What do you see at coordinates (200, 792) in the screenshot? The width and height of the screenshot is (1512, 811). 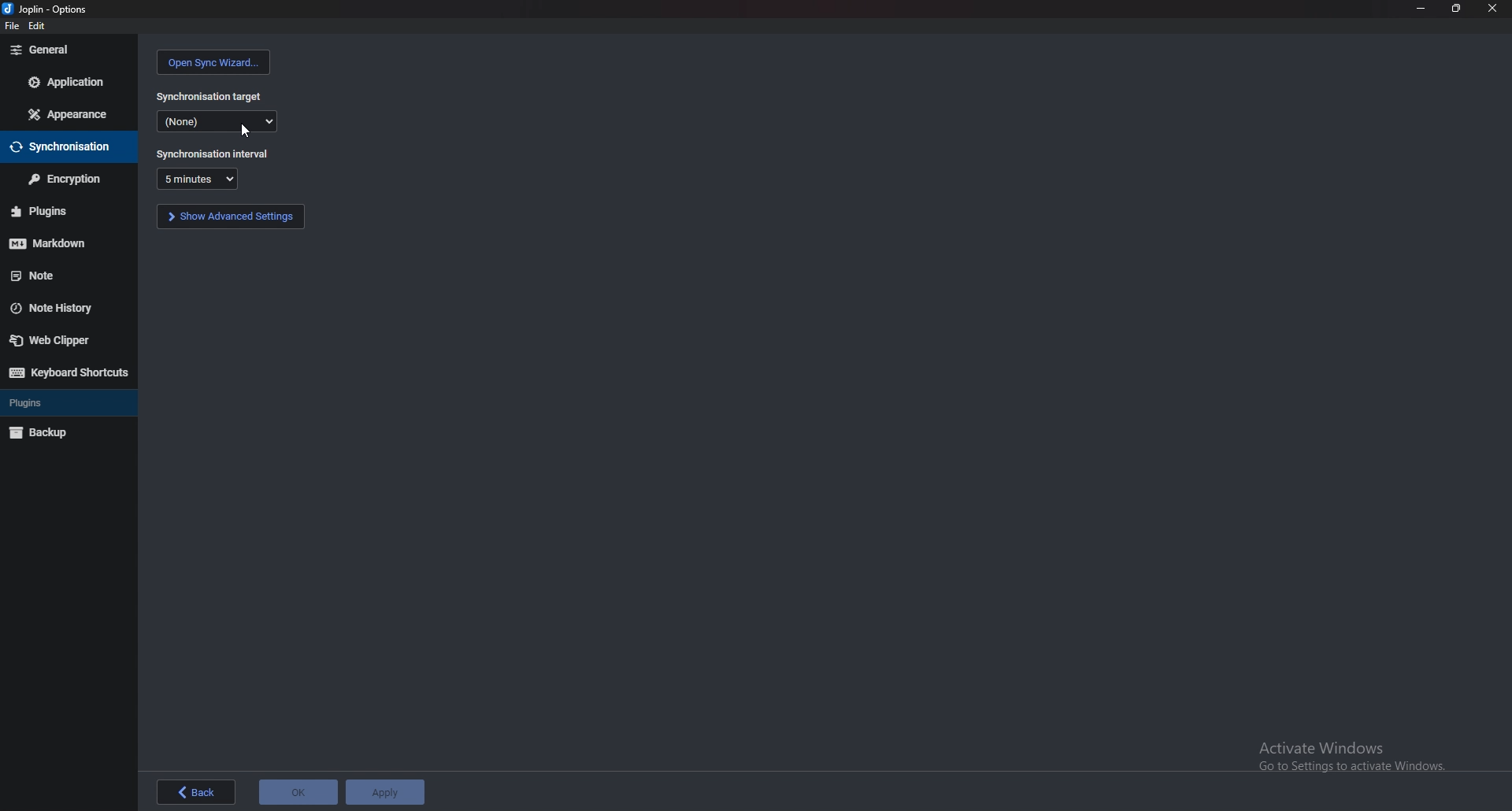 I see `back` at bounding box center [200, 792].